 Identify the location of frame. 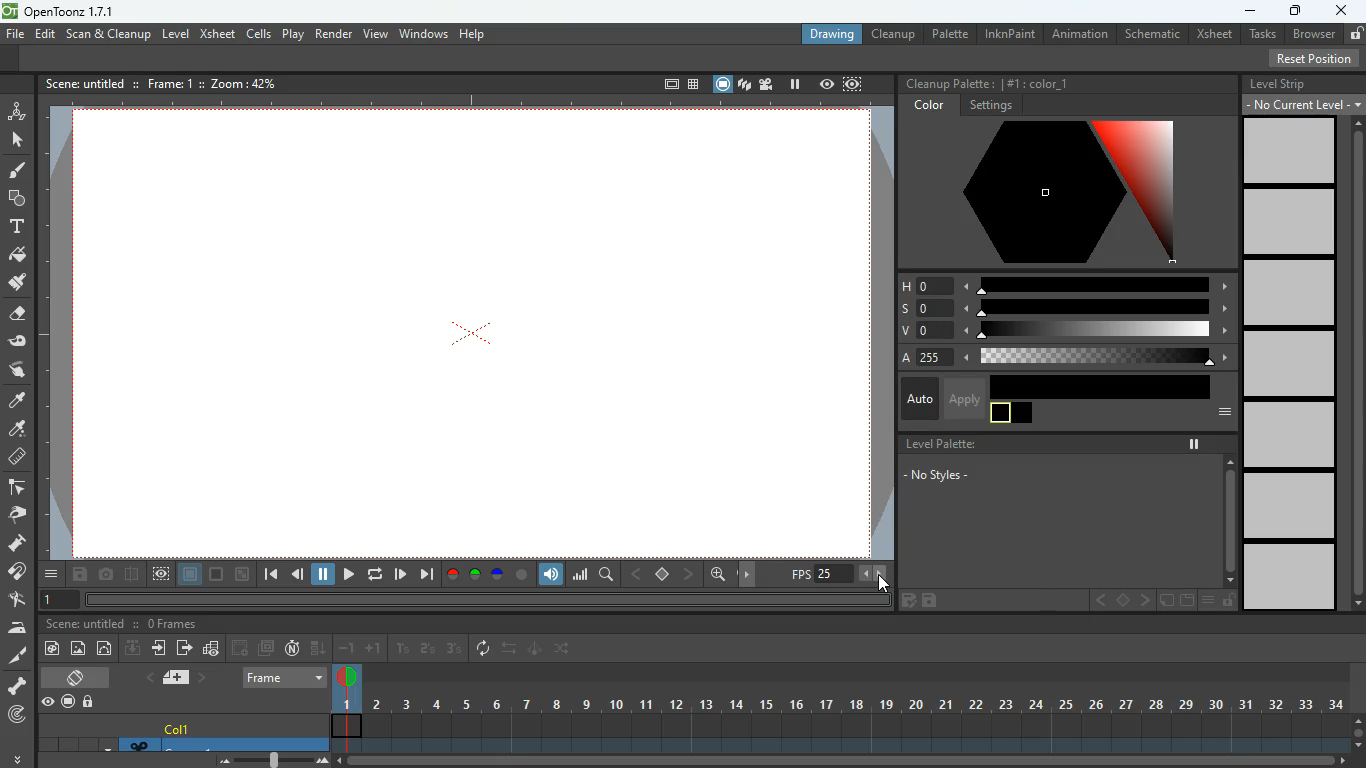
(282, 679).